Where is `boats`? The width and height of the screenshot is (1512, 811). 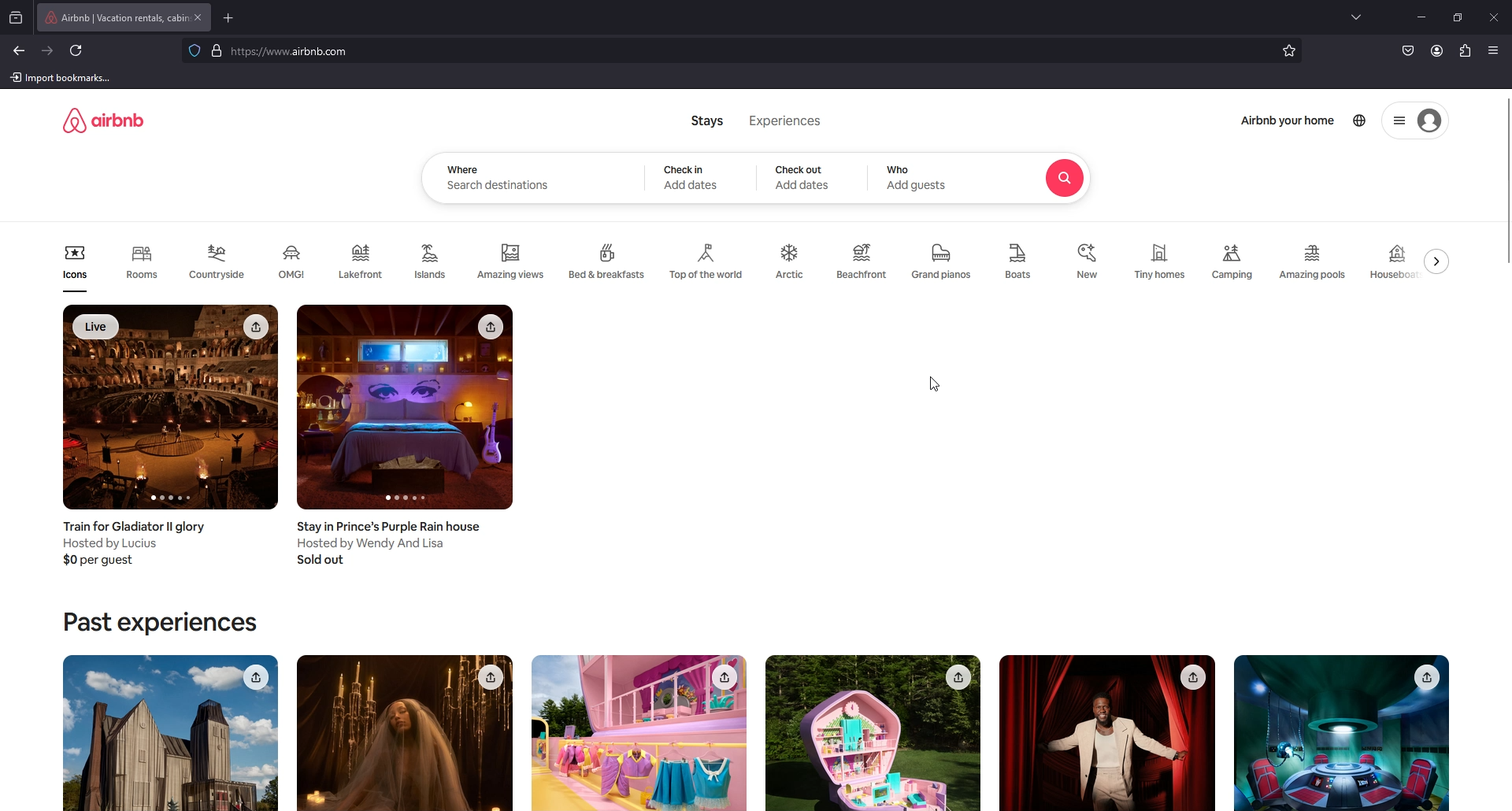 boats is located at coordinates (1022, 261).